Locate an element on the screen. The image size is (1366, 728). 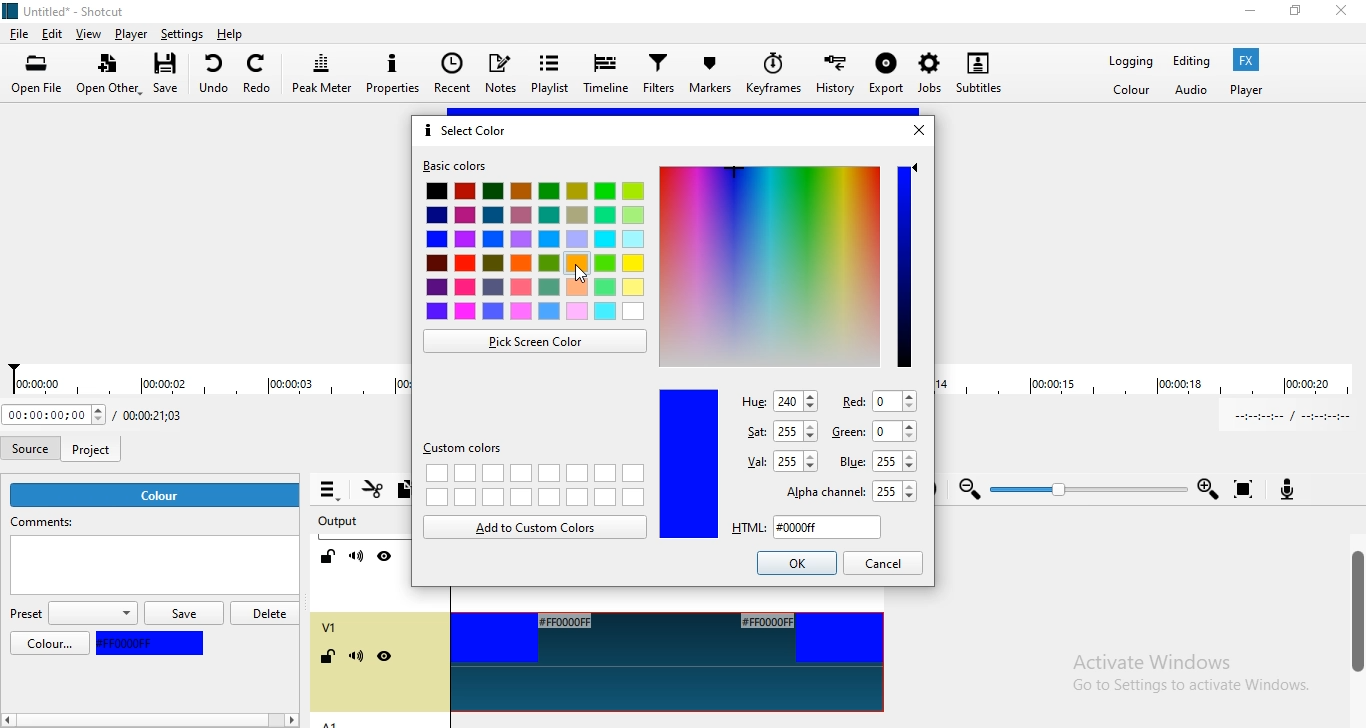
Notes is located at coordinates (500, 72).